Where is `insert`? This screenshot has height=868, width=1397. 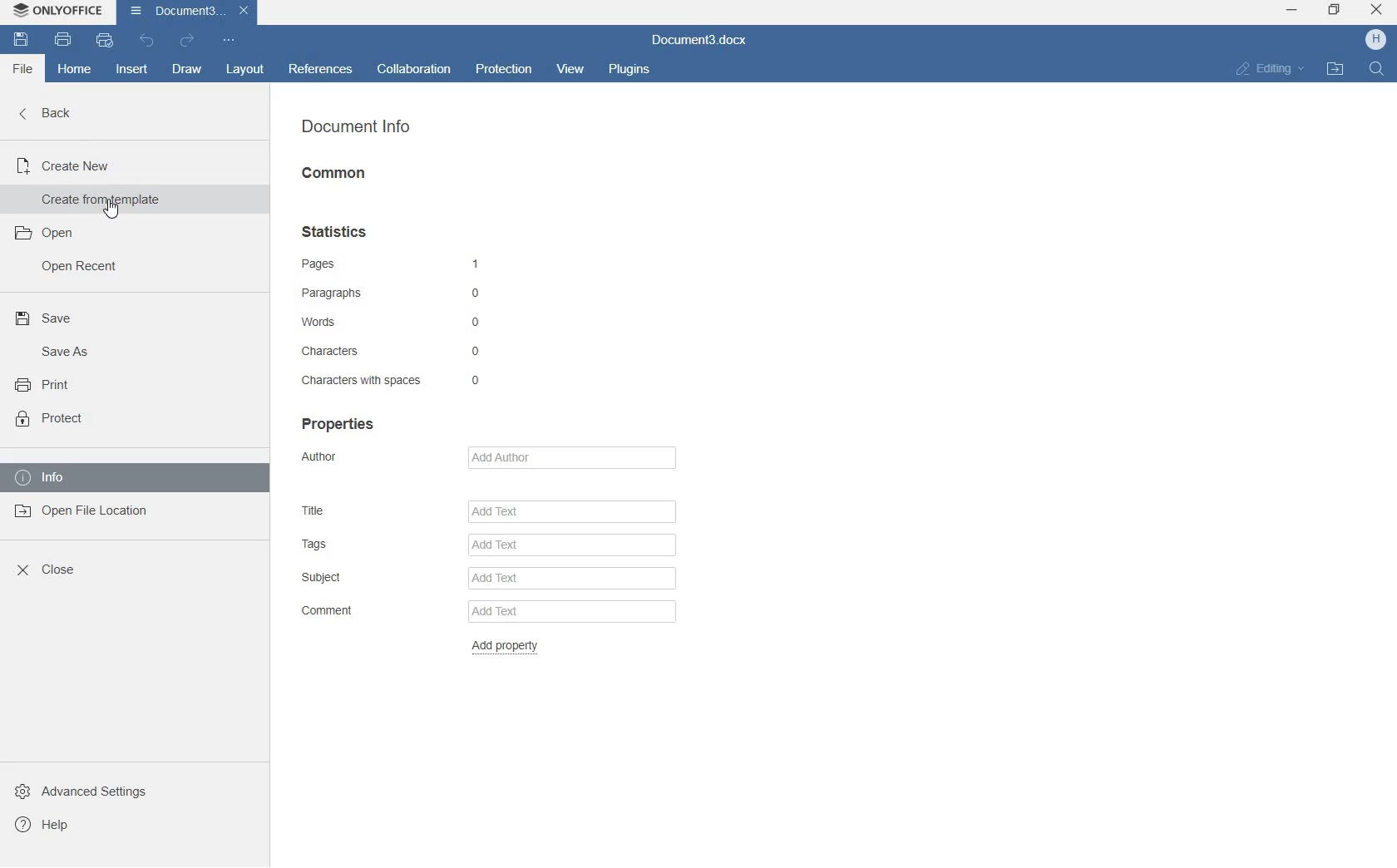 insert is located at coordinates (131, 68).